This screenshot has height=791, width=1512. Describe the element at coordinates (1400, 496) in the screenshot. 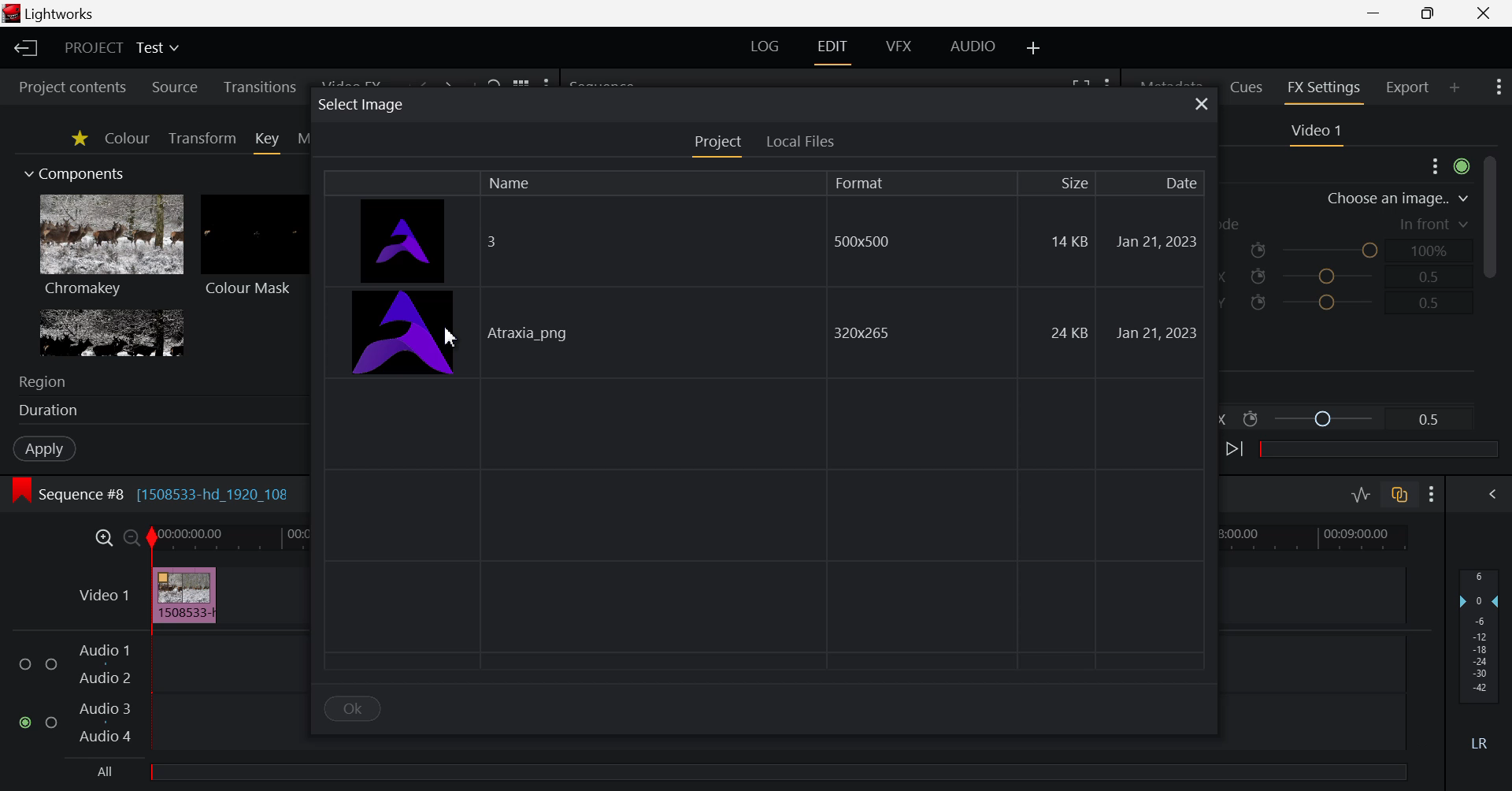

I see `Toggle auto track sync` at that location.